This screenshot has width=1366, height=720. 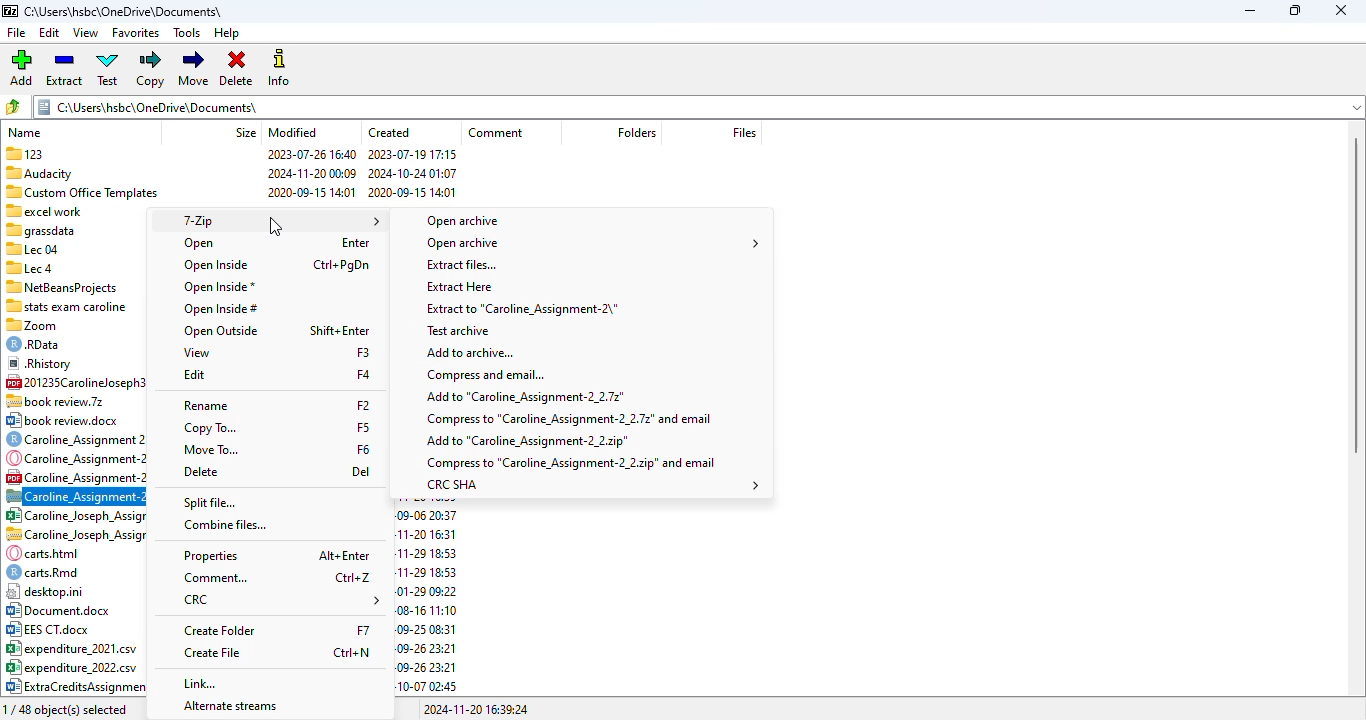 I want to click on name, so click(x=25, y=132).